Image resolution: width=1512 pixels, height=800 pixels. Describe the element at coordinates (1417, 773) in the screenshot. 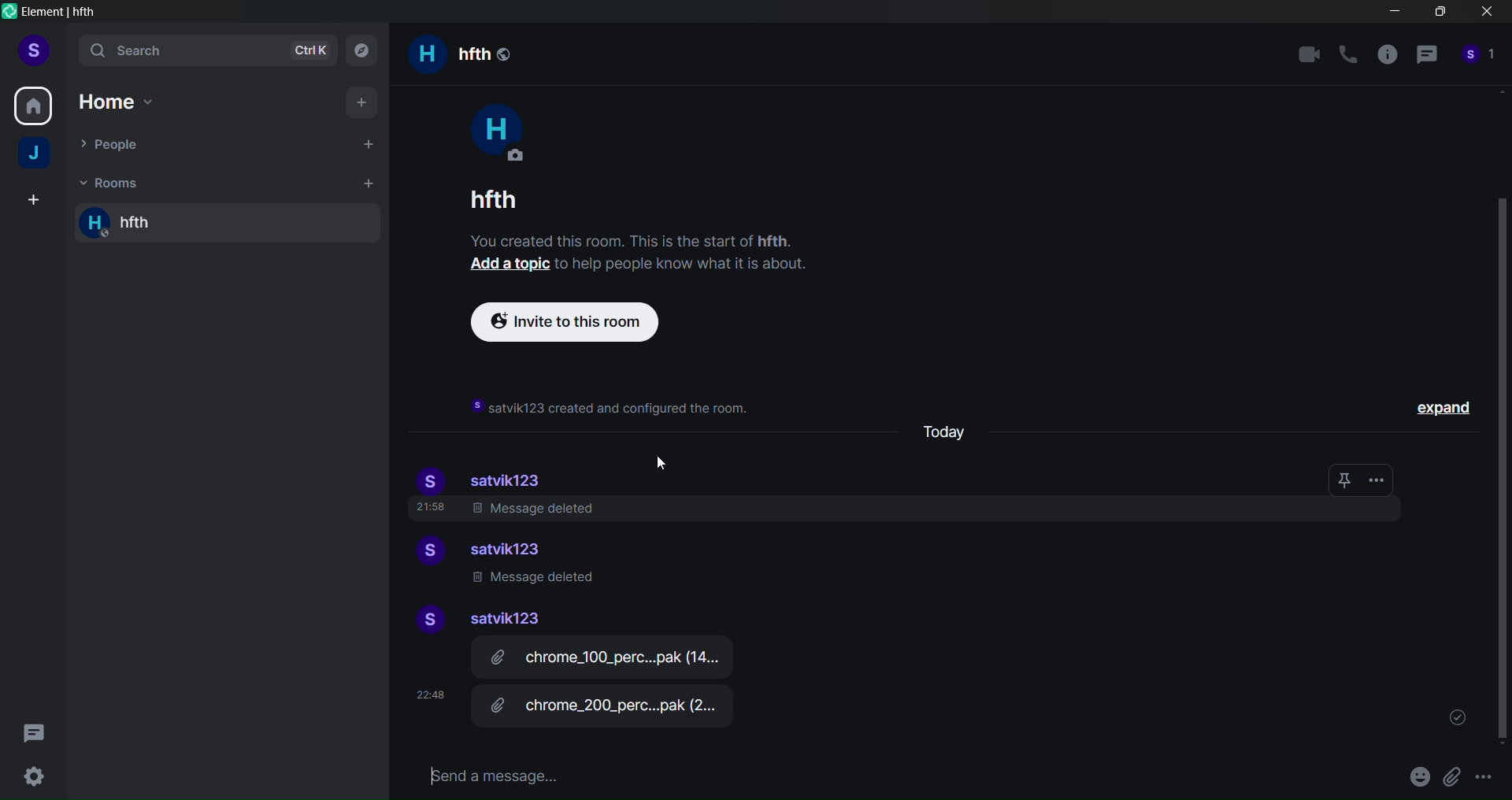

I see `emoji` at that location.